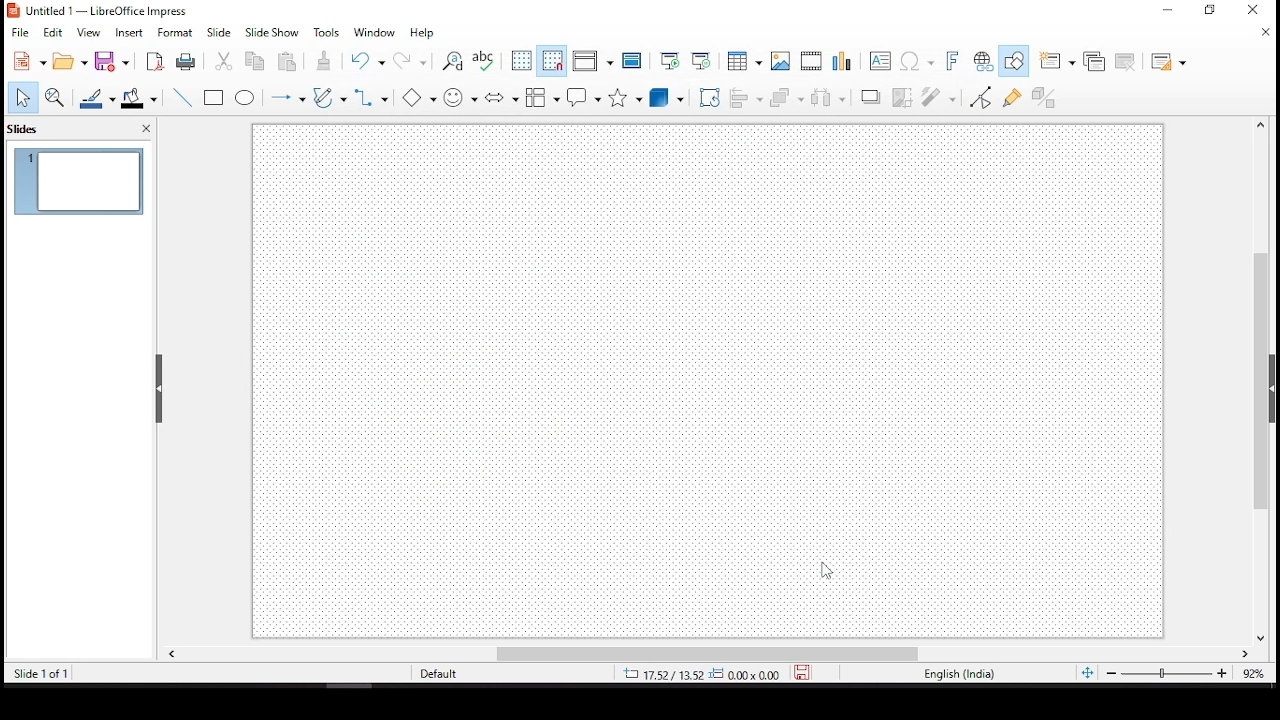 This screenshot has width=1280, height=720. Describe the element at coordinates (785, 99) in the screenshot. I see `arrange` at that location.